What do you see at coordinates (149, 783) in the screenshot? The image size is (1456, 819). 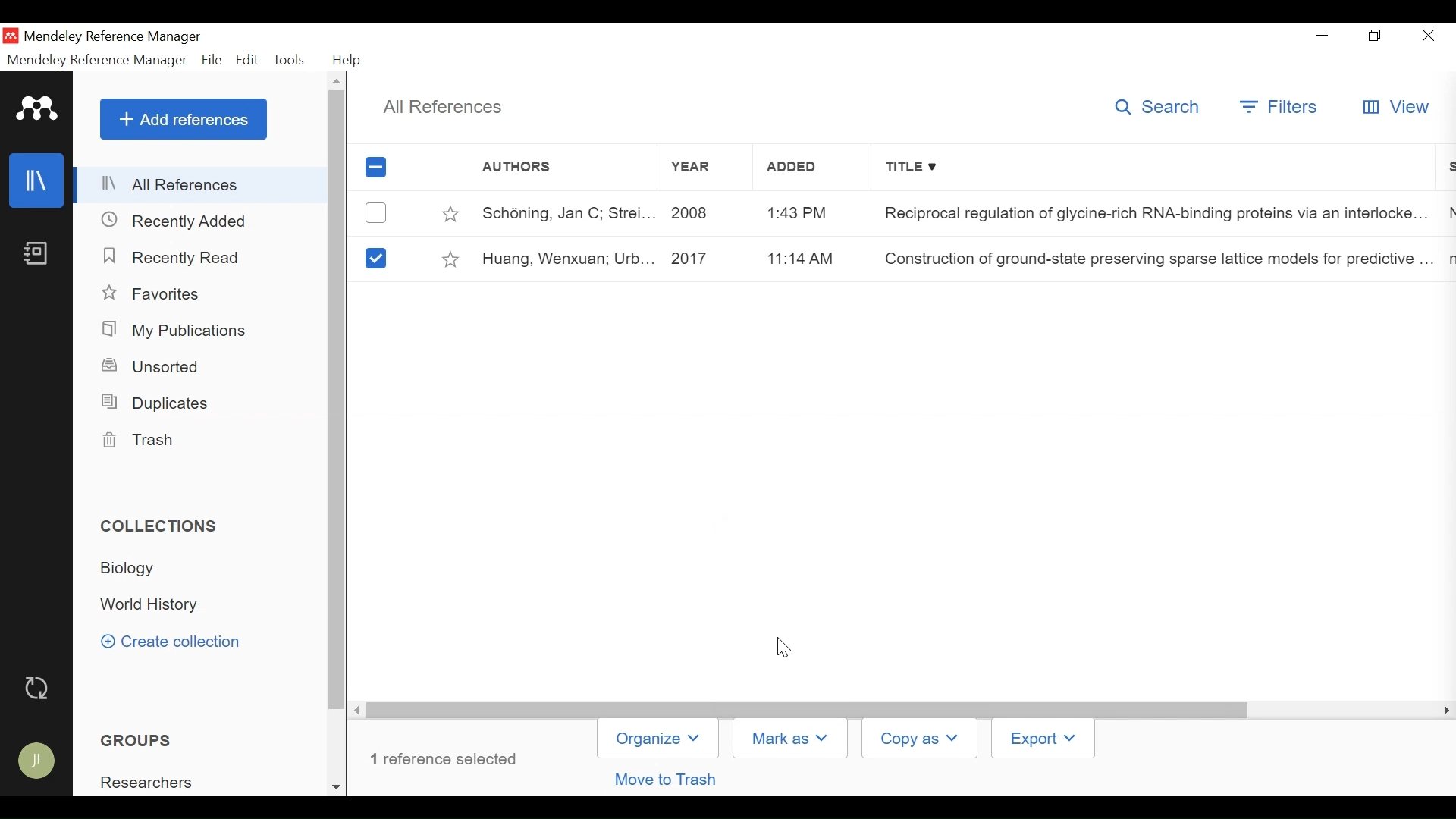 I see `Researchers` at bounding box center [149, 783].